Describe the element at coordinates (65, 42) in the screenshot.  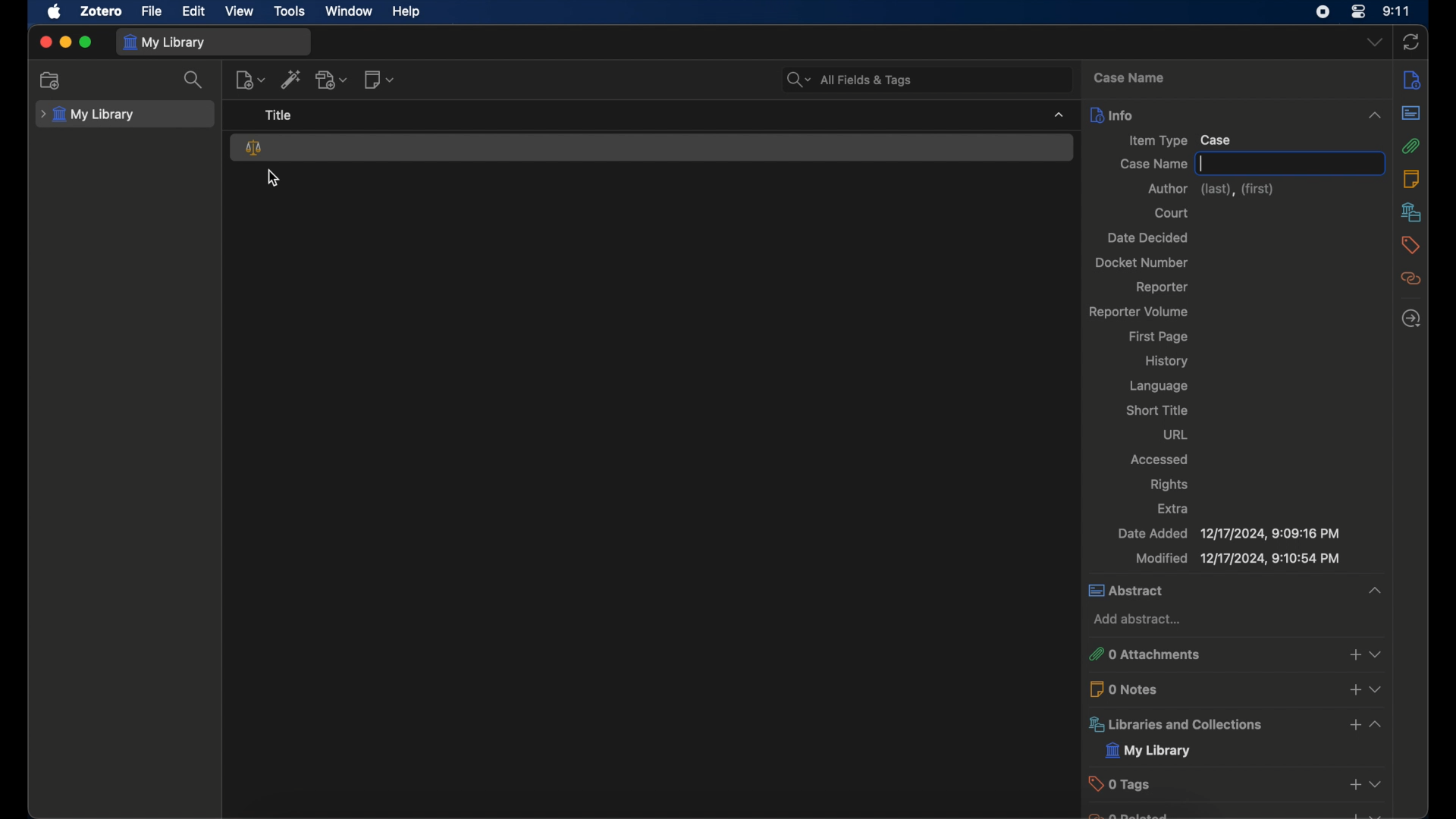
I see `minimize` at that location.